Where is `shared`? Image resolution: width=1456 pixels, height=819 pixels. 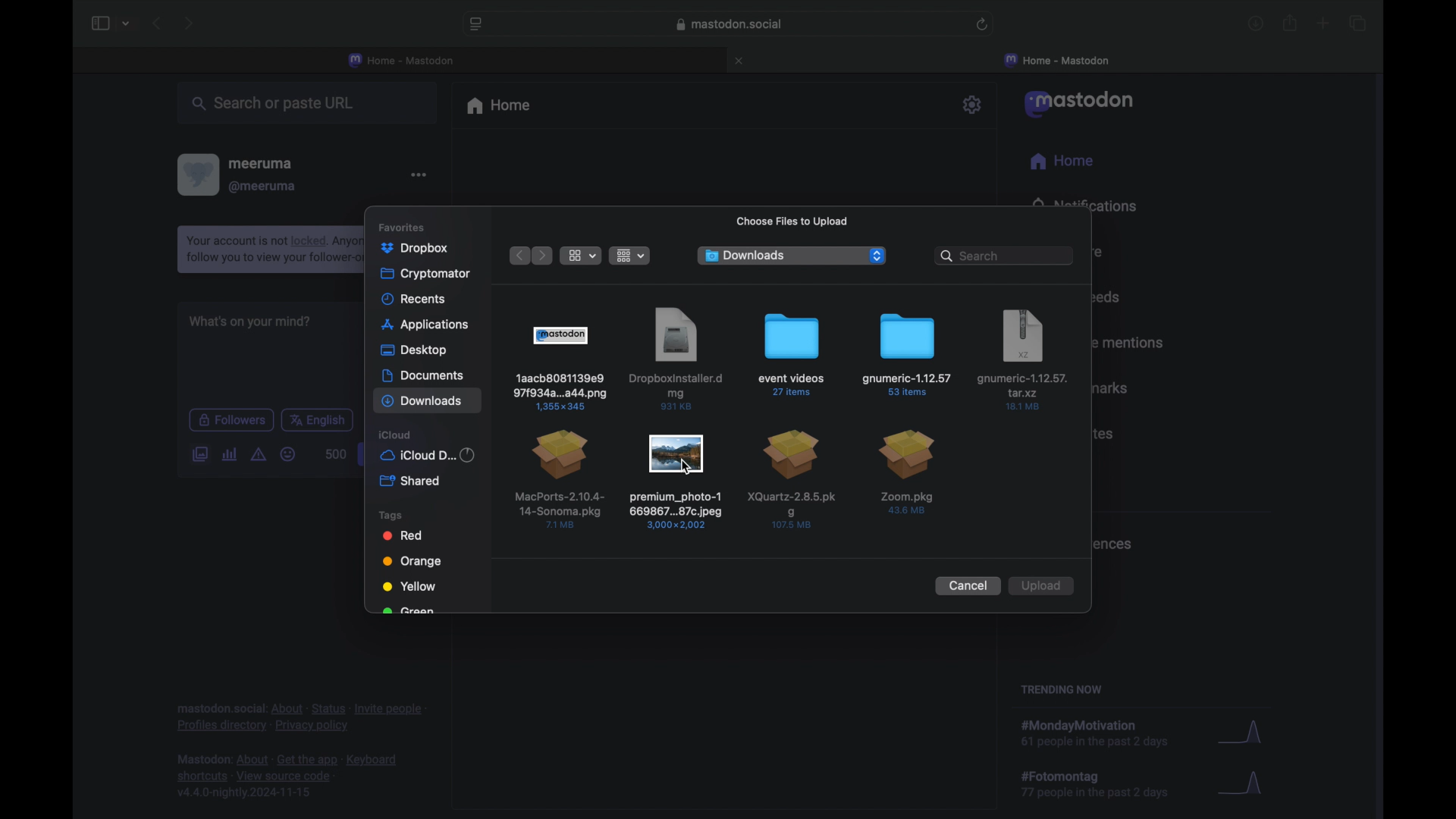
shared is located at coordinates (411, 481).